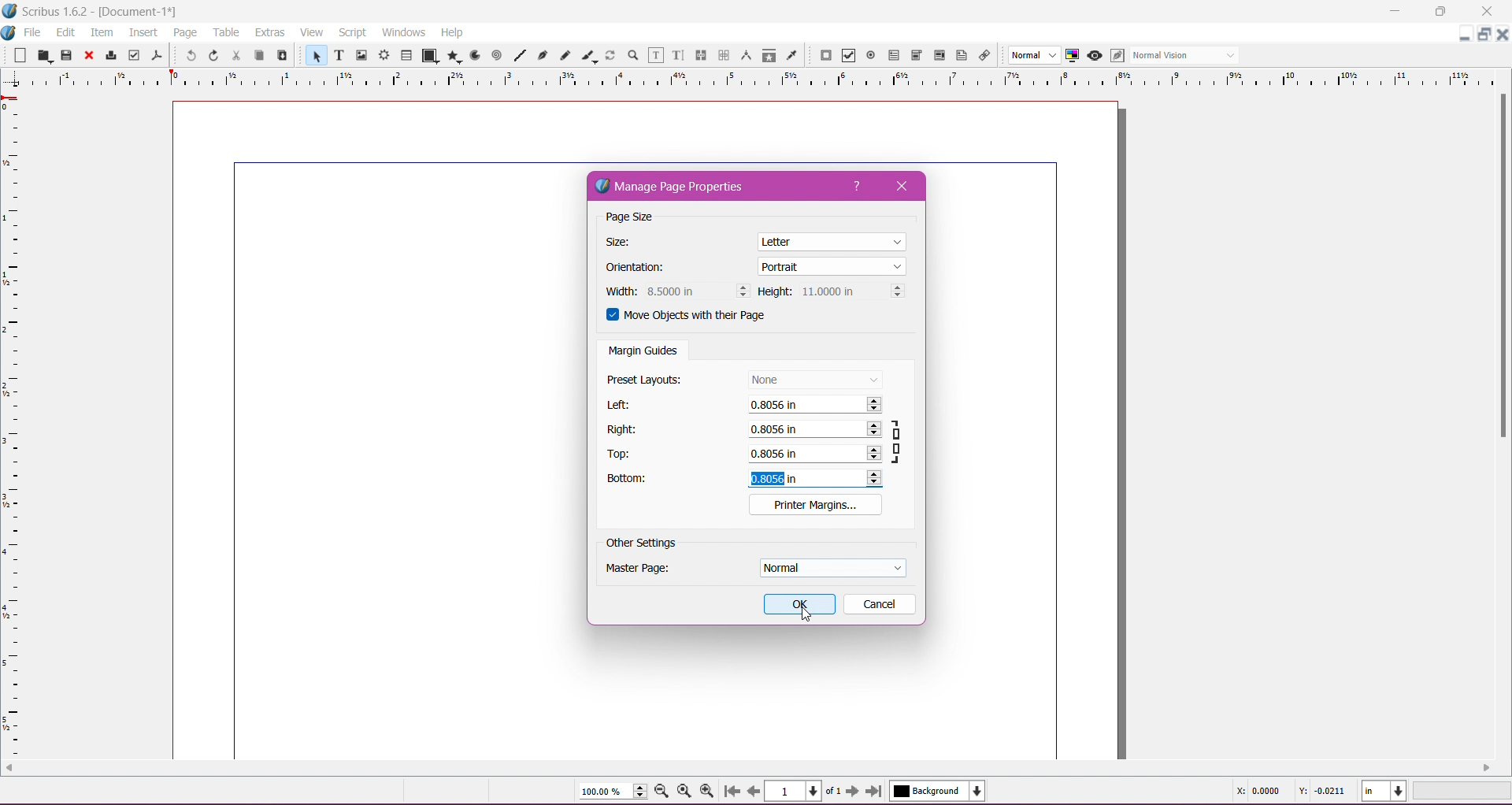 Image resolution: width=1512 pixels, height=805 pixels. I want to click on Current Zoom Level, so click(606, 792).